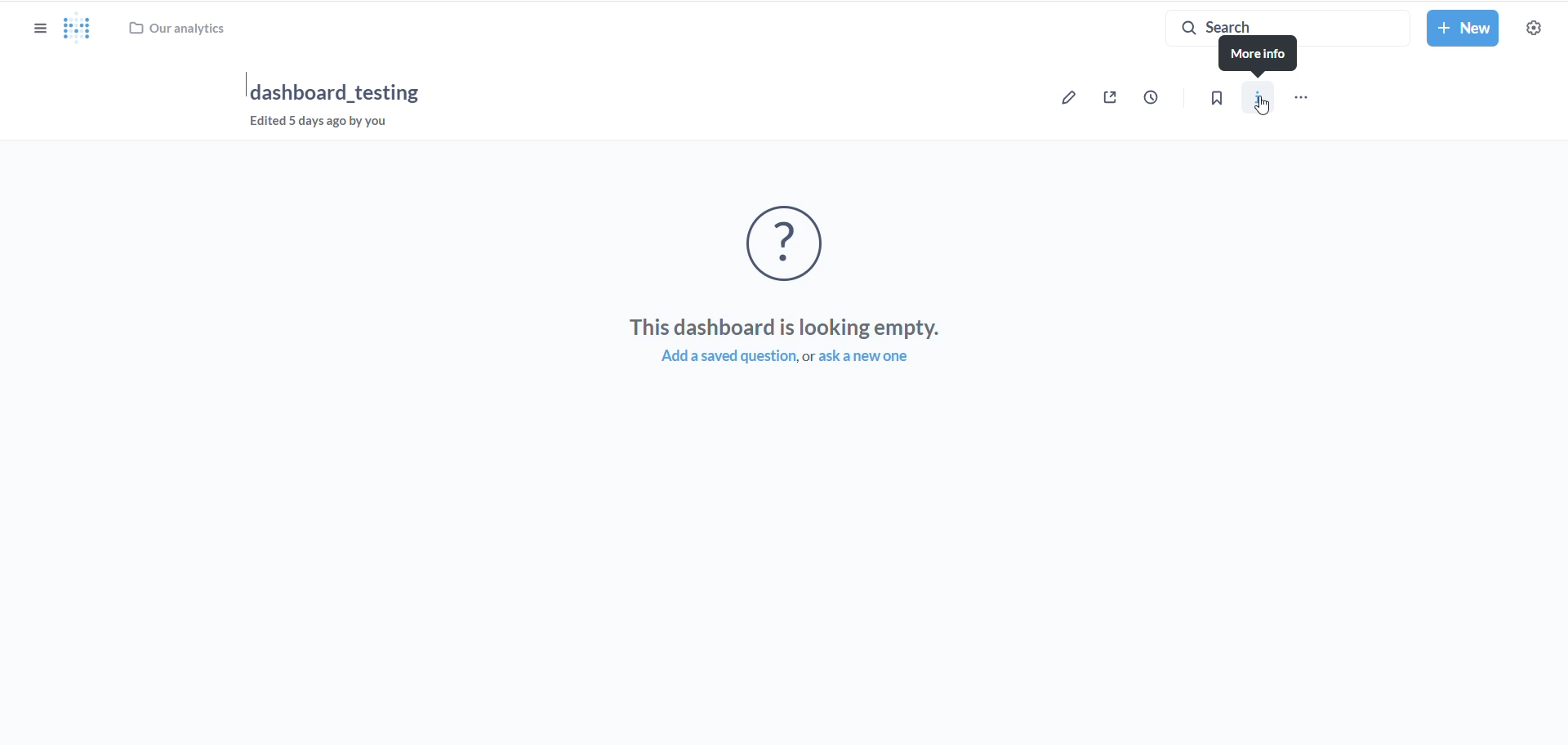  I want to click on more info, so click(1266, 100).